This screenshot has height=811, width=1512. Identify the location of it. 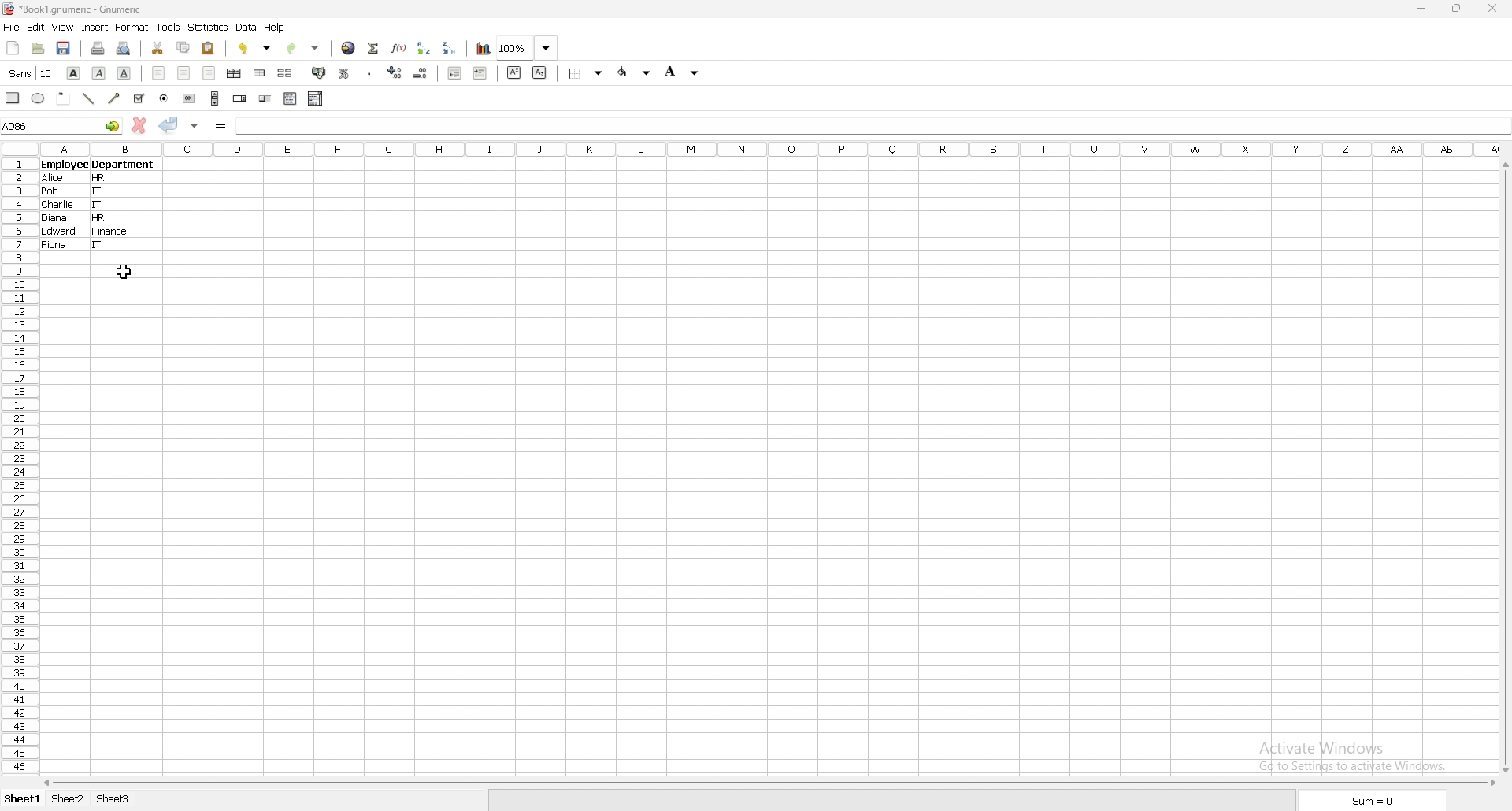
(99, 193).